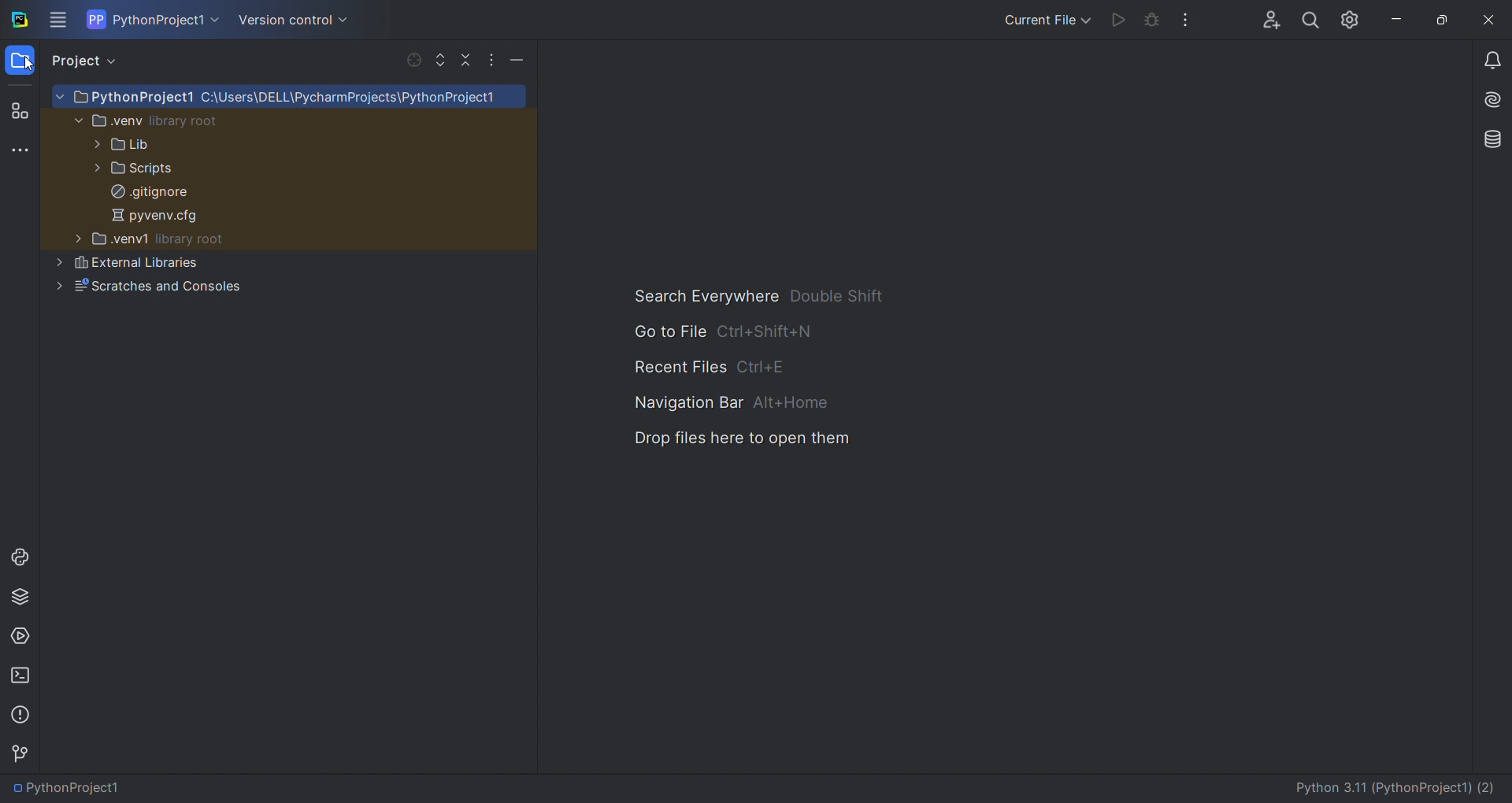 This screenshot has height=803, width=1512. What do you see at coordinates (1447, 16) in the screenshot?
I see `maximize` at bounding box center [1447, 16].